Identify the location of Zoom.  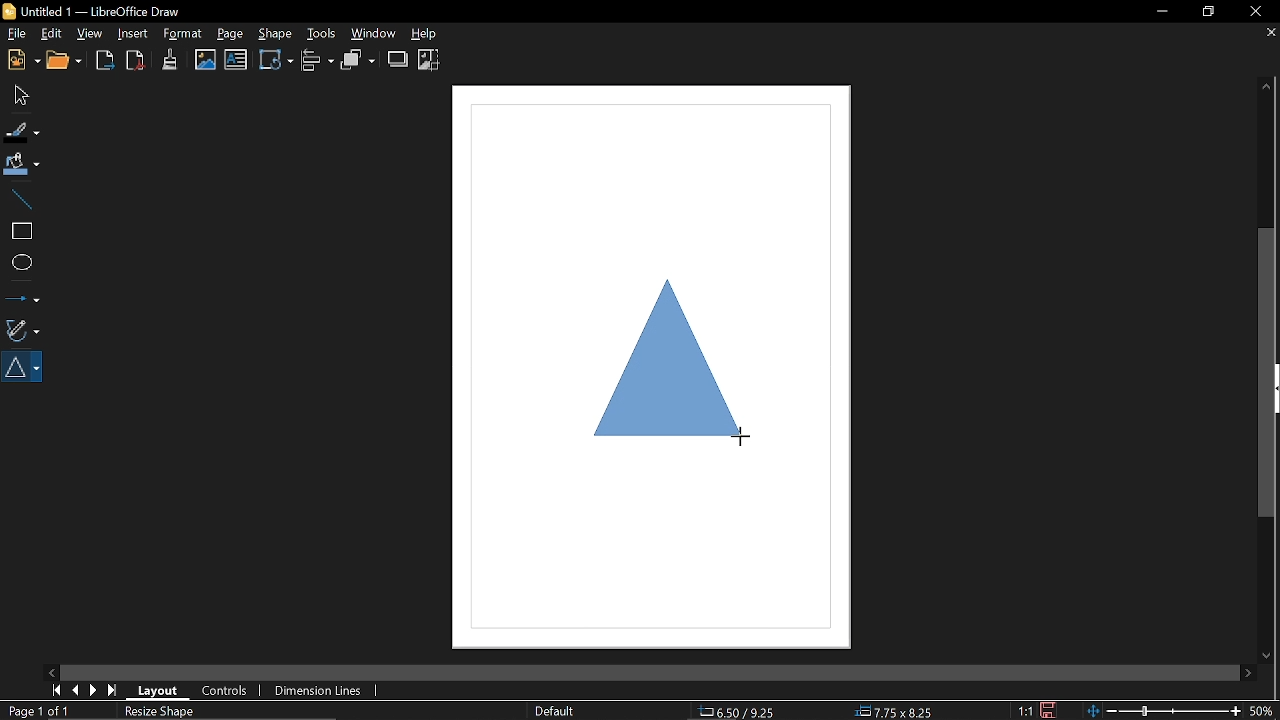
(1263, 710).